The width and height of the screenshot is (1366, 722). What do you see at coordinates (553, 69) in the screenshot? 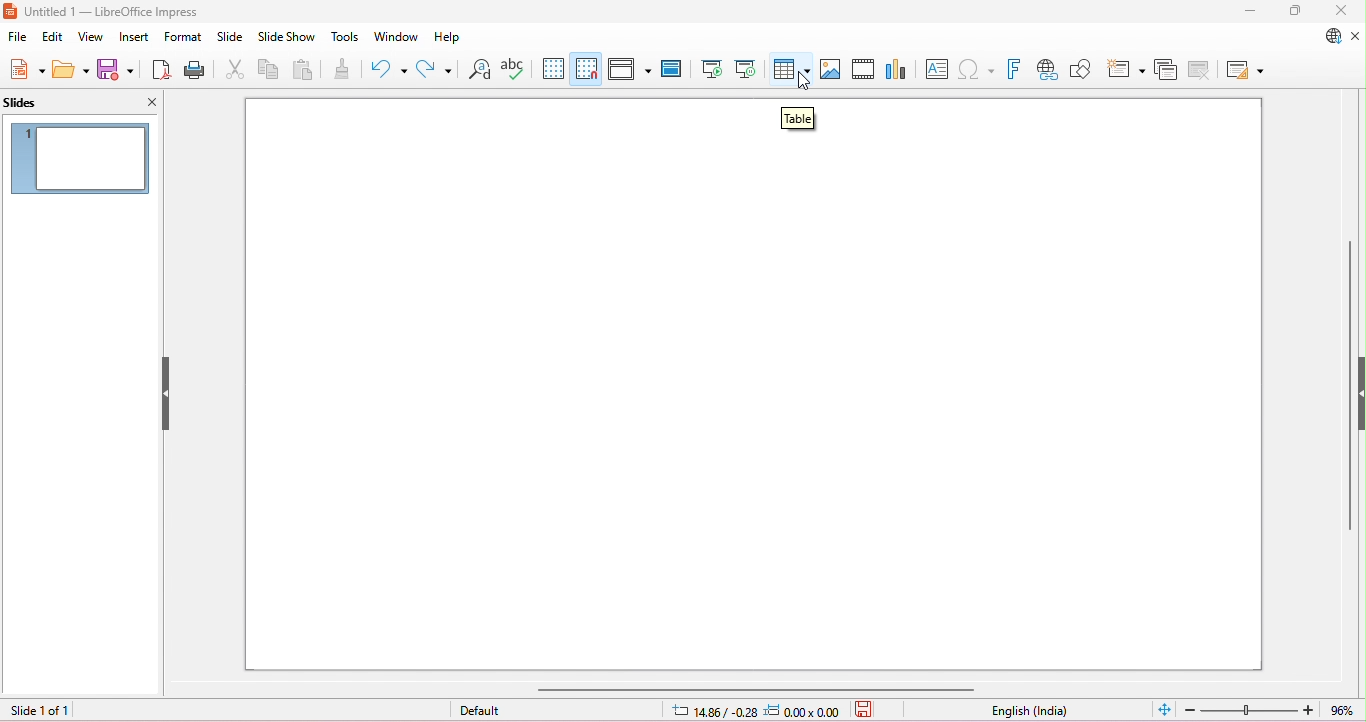
I see `grid` at bounding box center [553, 69].